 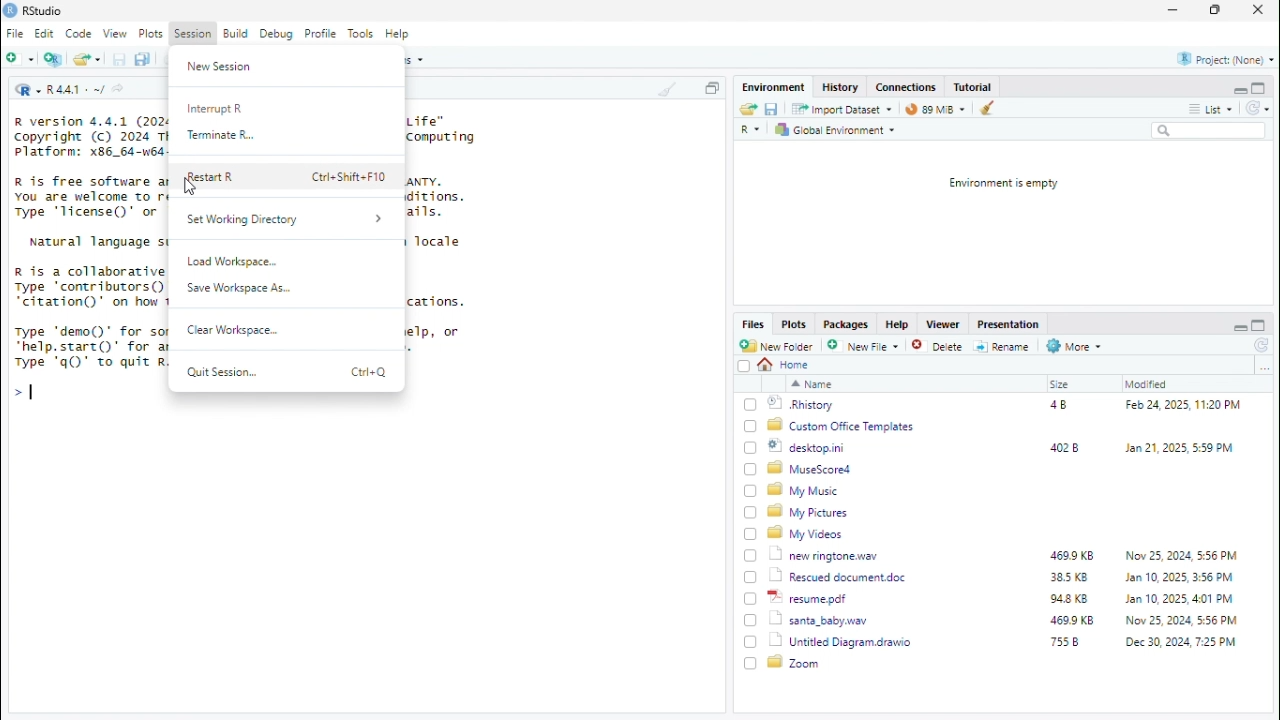 What do you see at coordinates (237, 34) in the screenshot?
I see `Build` at bounding box center [237, 34].